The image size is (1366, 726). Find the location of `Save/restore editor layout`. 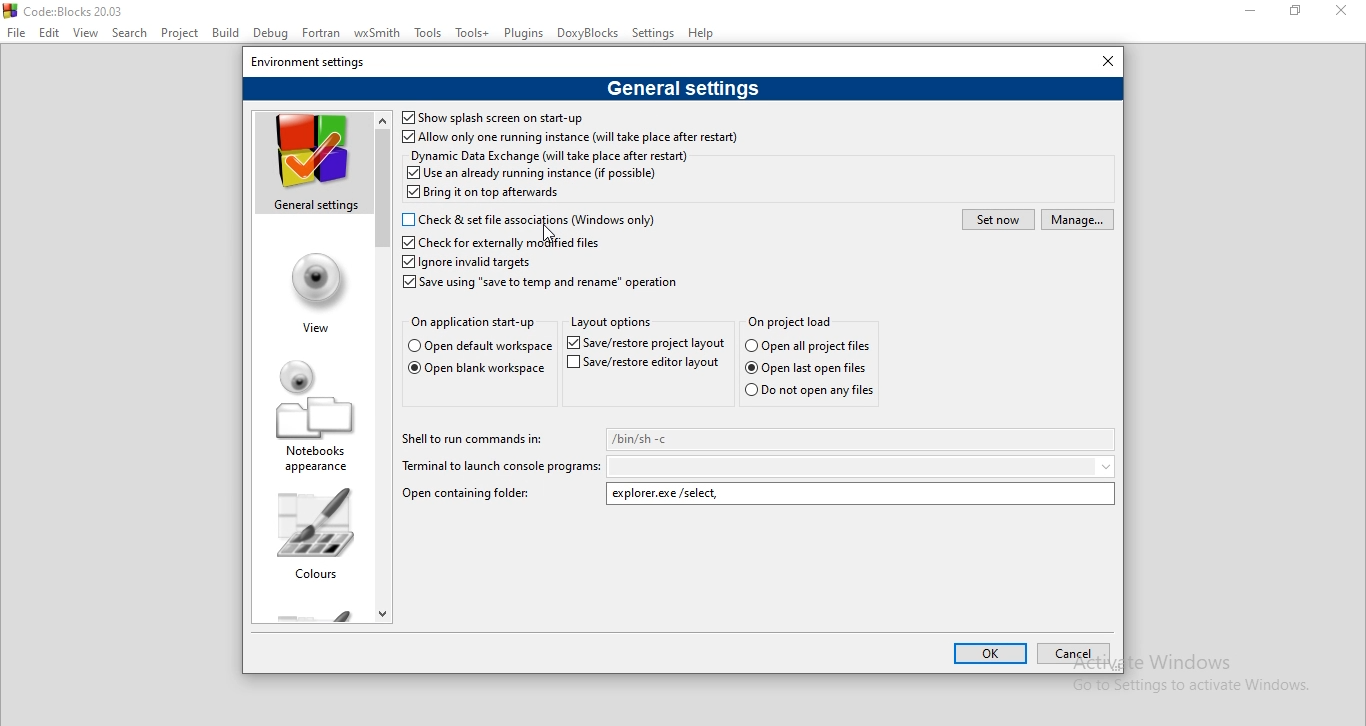

Save/restore editor layout is located at coordinates (644, 342).